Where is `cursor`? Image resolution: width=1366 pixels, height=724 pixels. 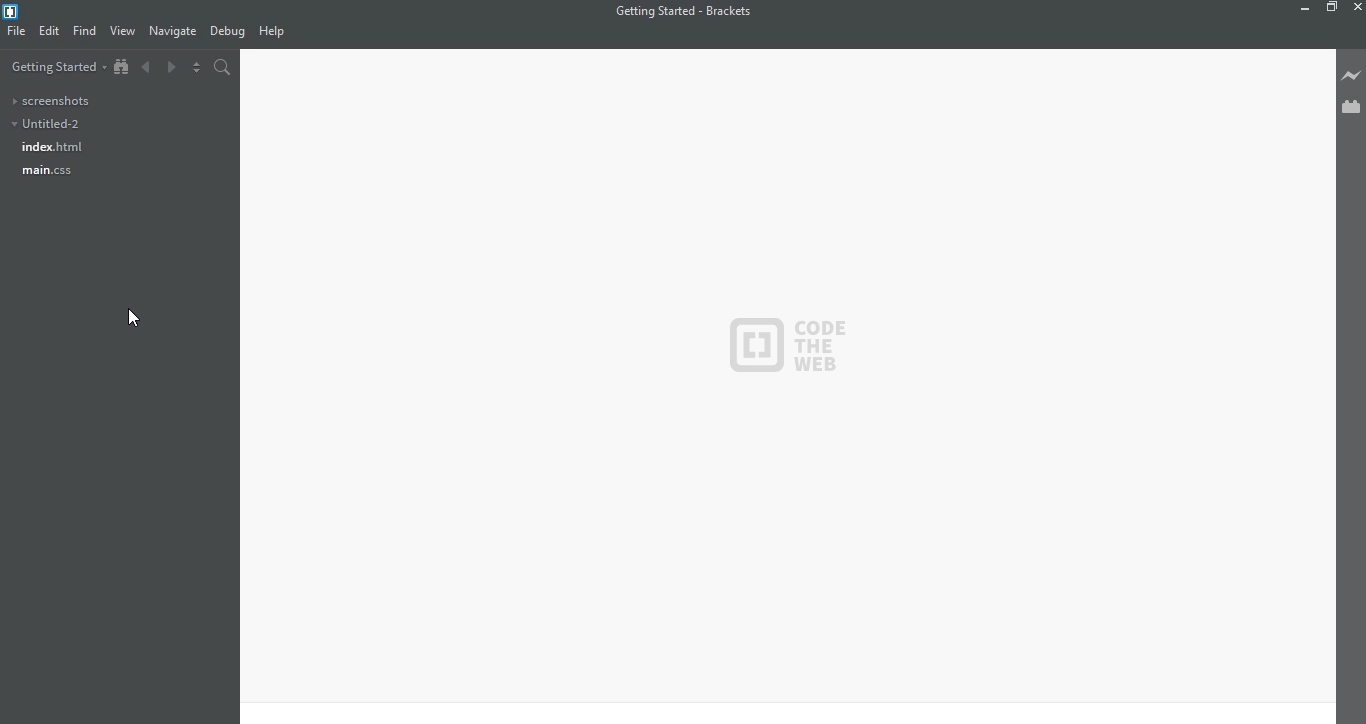
cursor is located at coordinates (137, 316).